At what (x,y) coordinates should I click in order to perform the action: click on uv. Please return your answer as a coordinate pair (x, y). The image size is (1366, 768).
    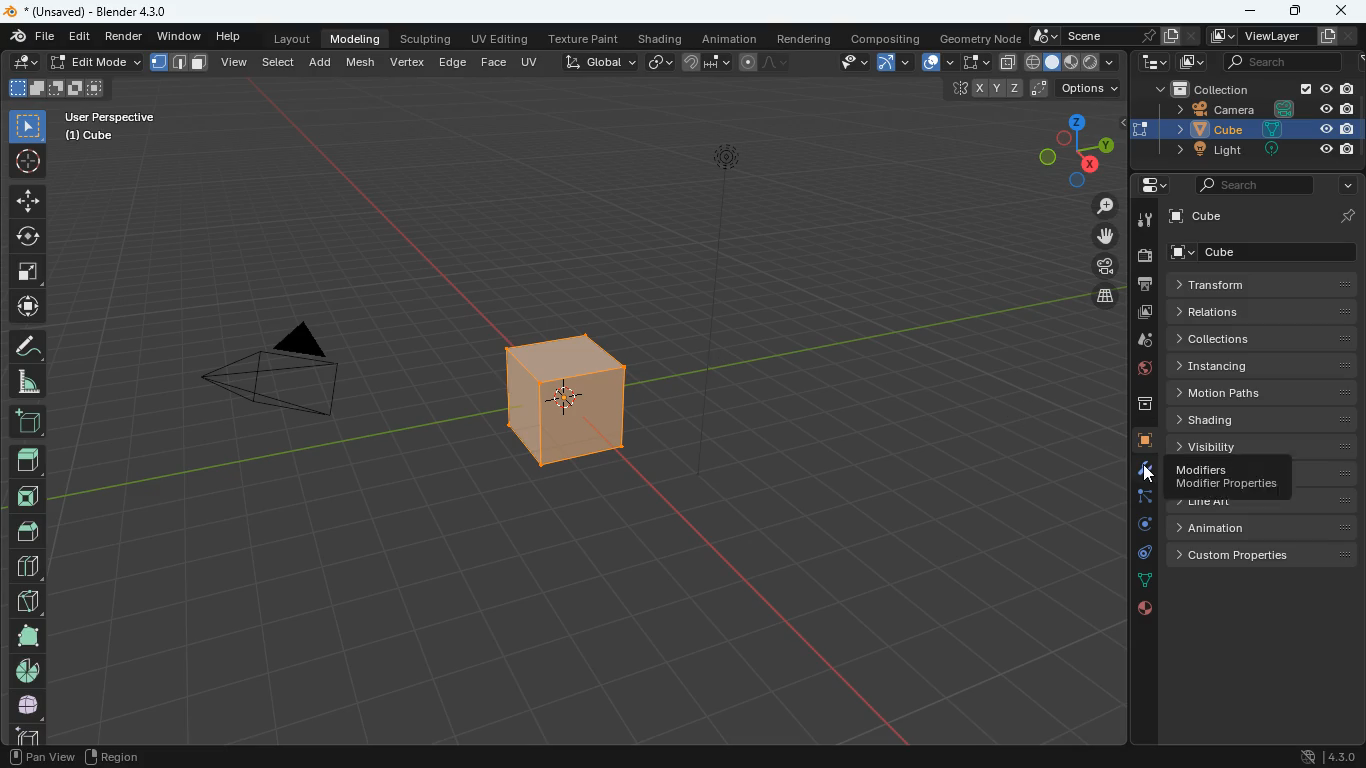
    Looking at the image, I should click on (527, 61).